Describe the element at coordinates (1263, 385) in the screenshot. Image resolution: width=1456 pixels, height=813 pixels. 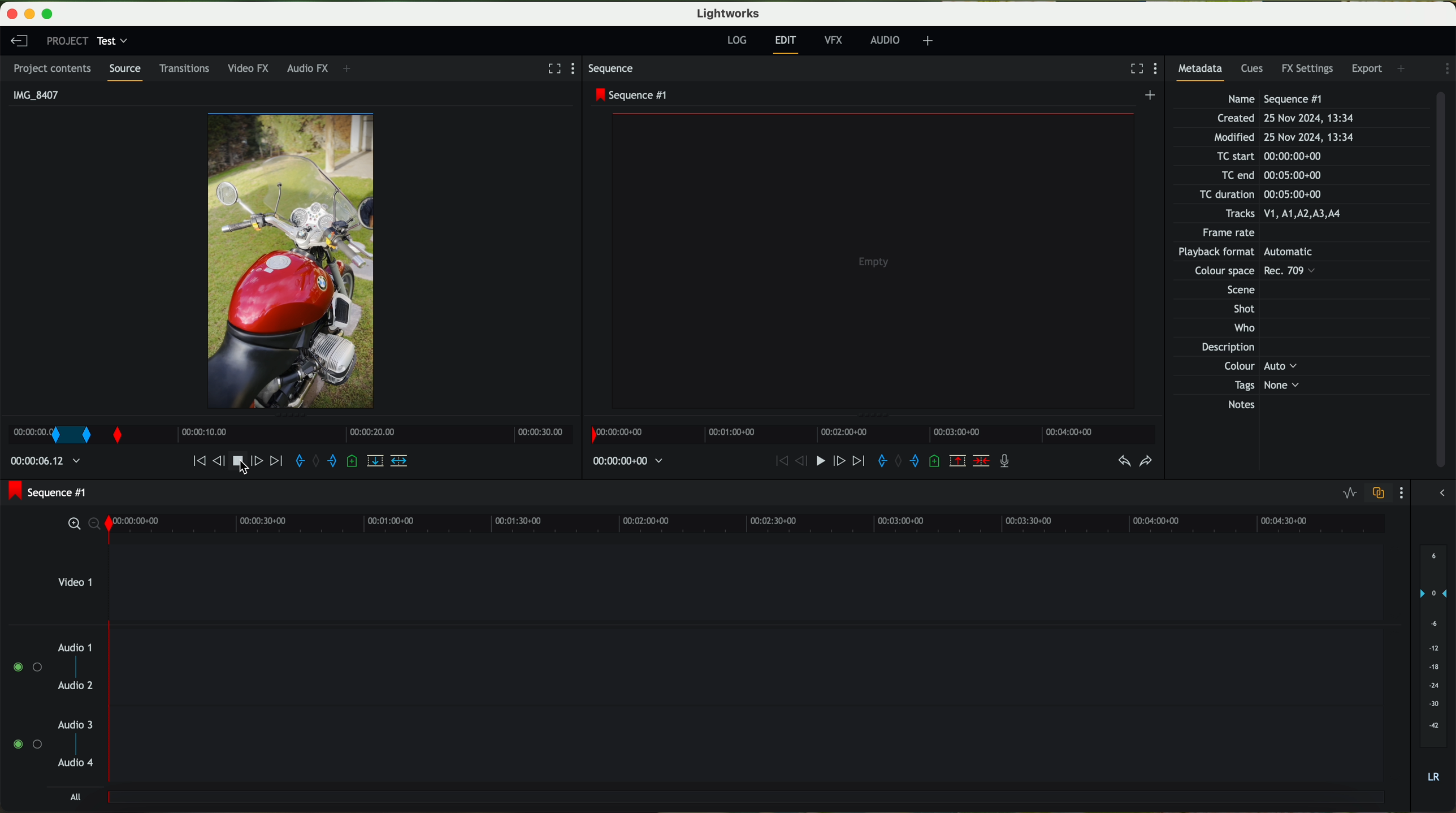
I see `Tags None` at that location.